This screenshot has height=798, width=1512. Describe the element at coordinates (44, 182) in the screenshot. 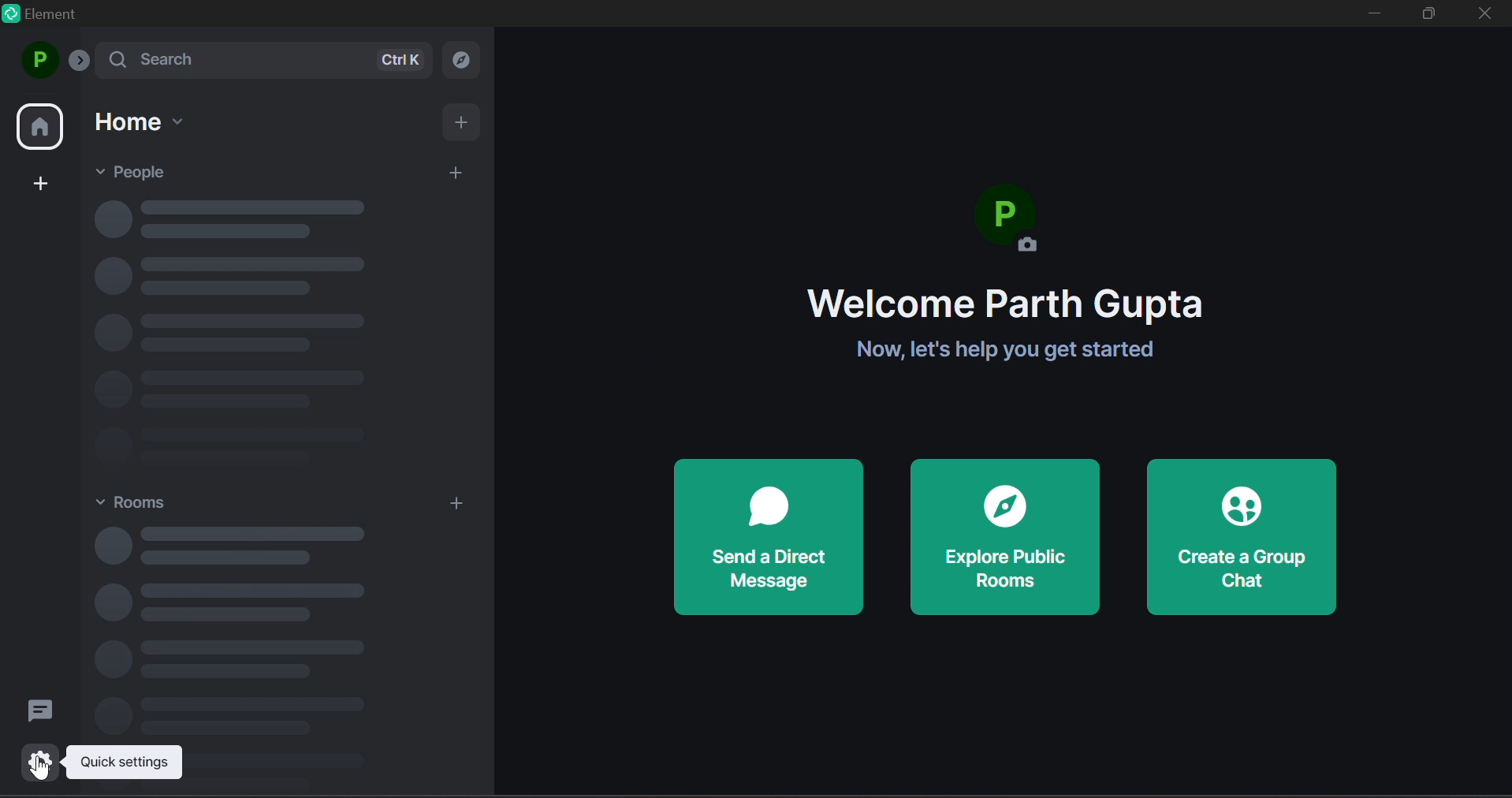

I see `add` at that location.